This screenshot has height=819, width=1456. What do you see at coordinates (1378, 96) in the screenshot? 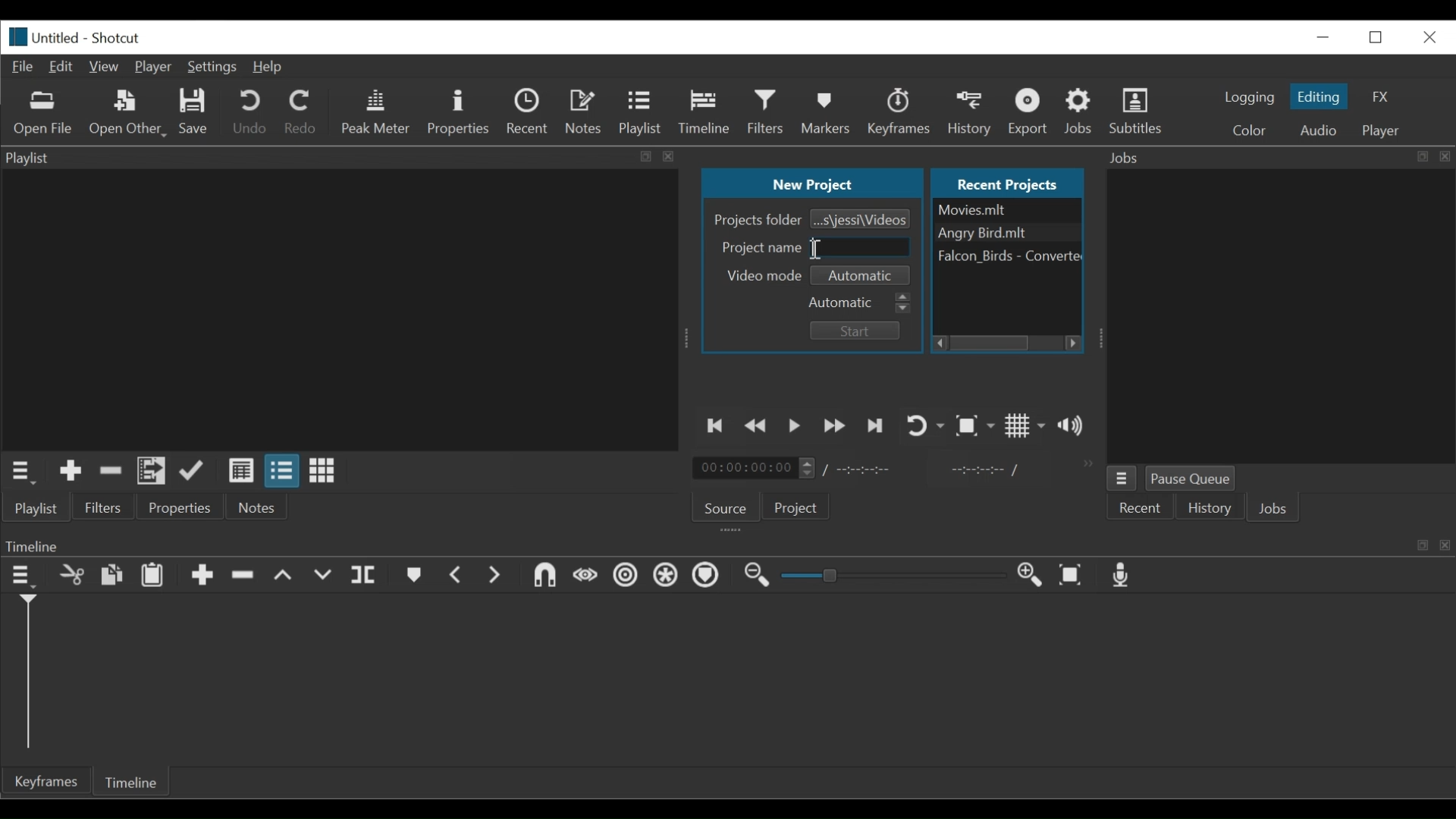
I see `FX` at bounding box center [1378, 96].